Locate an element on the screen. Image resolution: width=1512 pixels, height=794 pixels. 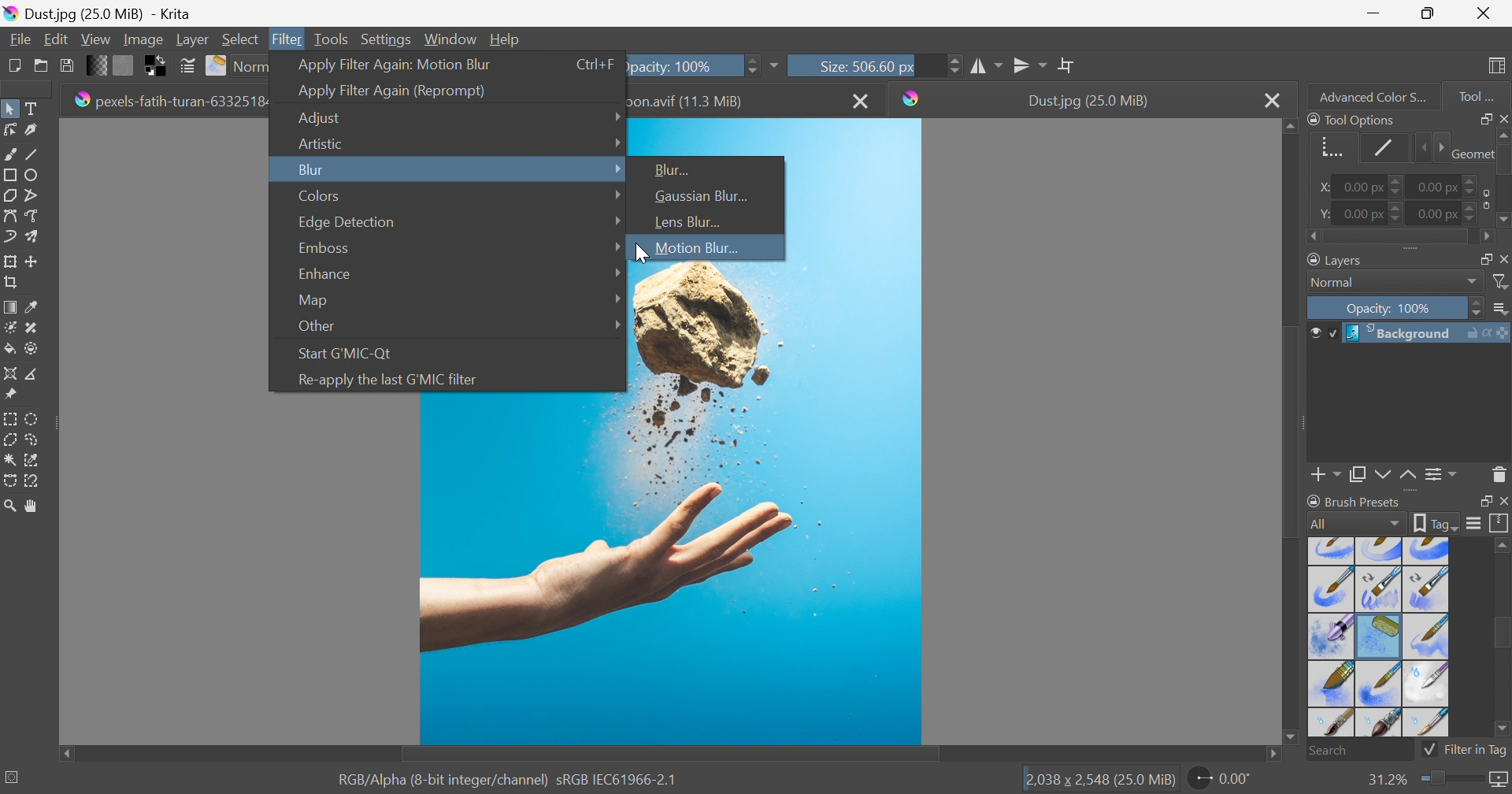
Swap foreground and background color is located at coordinates (158, 66).